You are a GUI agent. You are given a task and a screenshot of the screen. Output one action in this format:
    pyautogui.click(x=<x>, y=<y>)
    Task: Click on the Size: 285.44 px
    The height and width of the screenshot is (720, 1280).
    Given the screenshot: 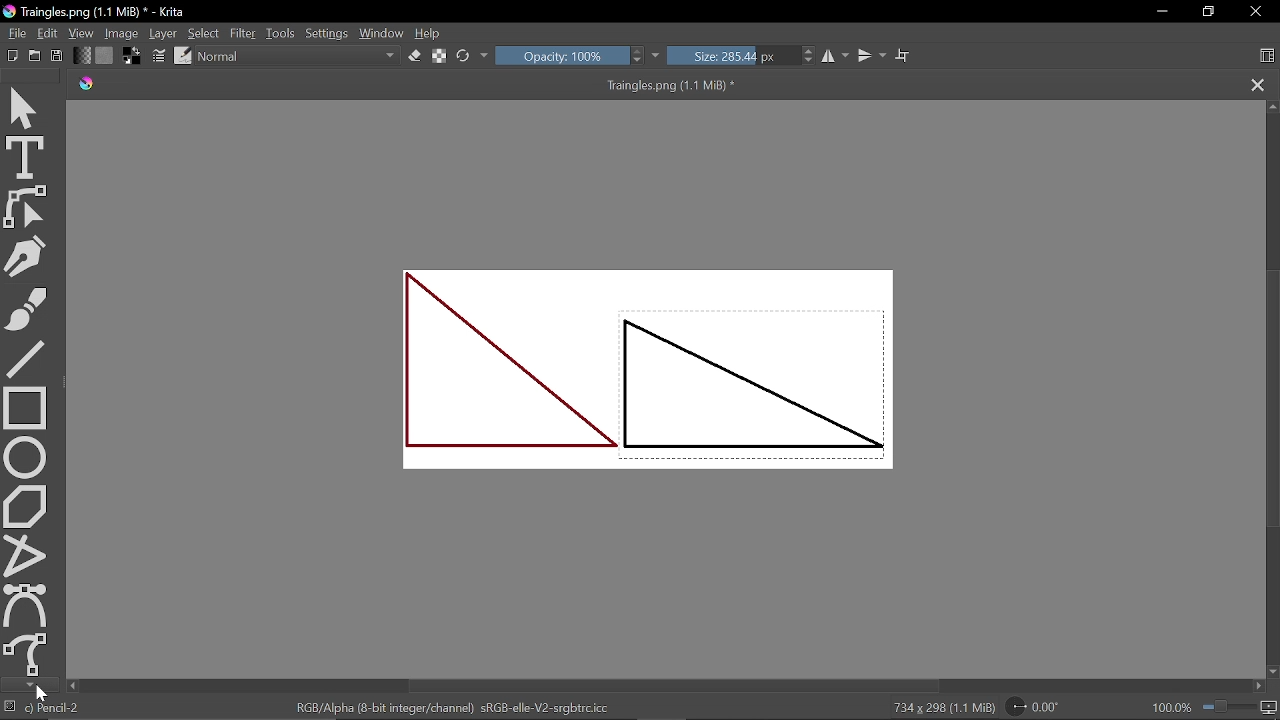 What is the action you would take?
    pyautogui.click(x=743, y=57)
    